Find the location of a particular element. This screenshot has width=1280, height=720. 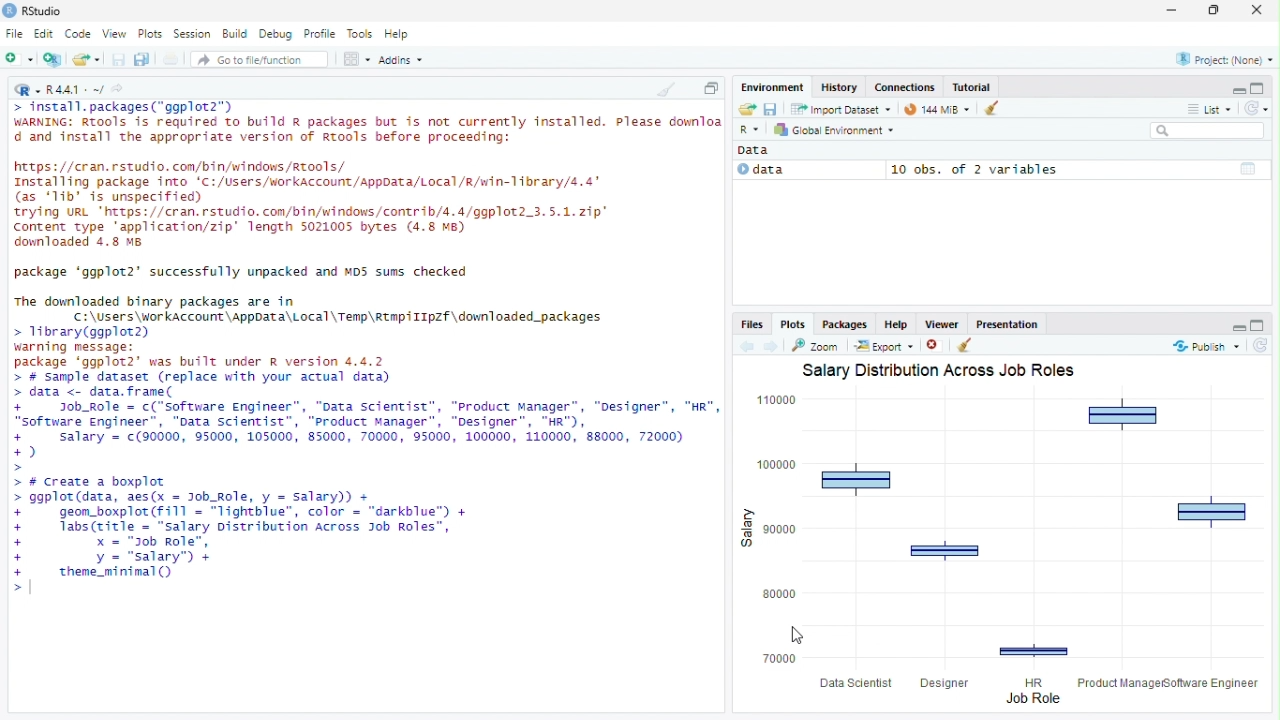

History is located at coordinates (839, 87).